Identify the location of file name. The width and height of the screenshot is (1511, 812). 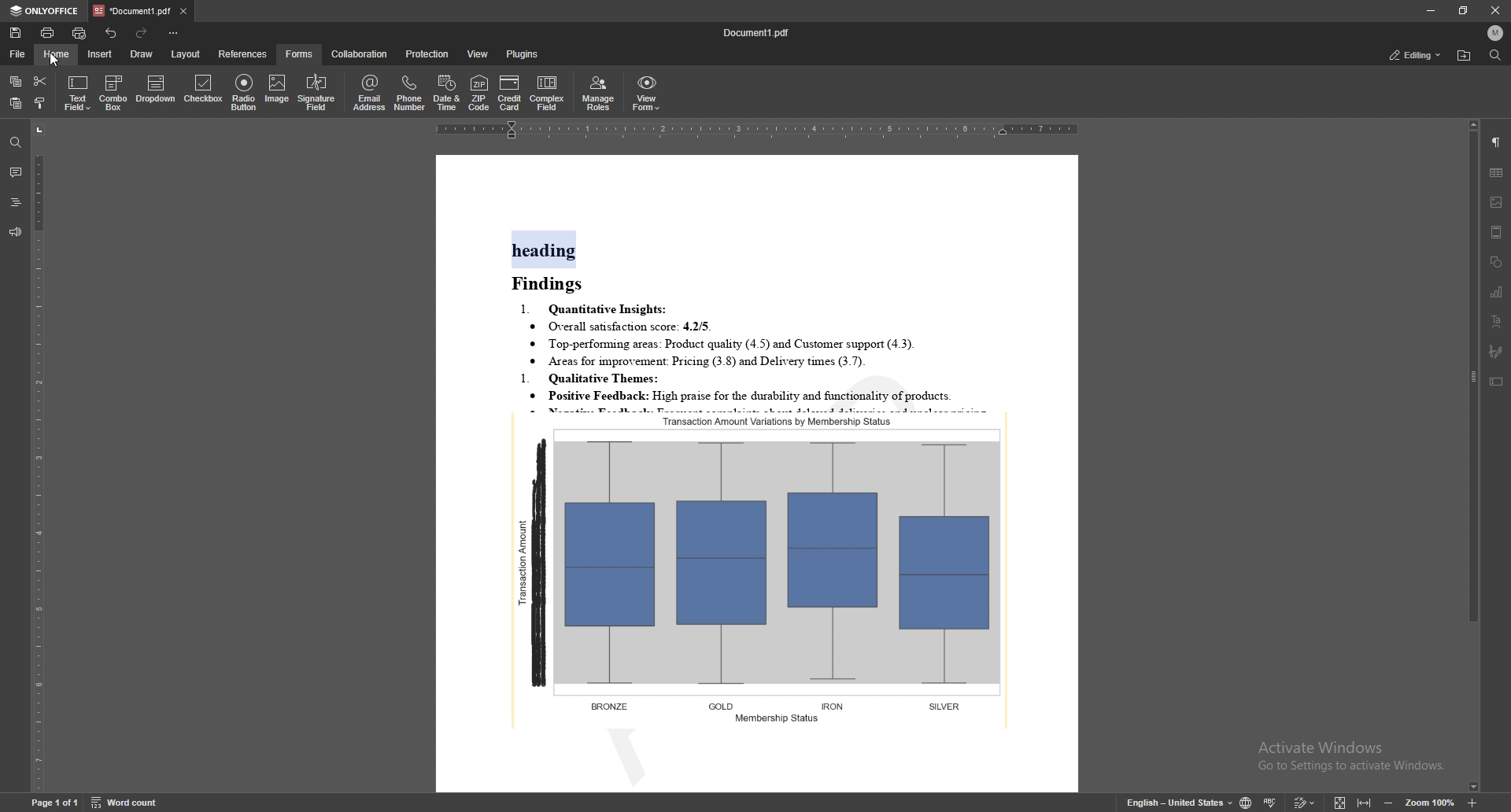
(760, 32).